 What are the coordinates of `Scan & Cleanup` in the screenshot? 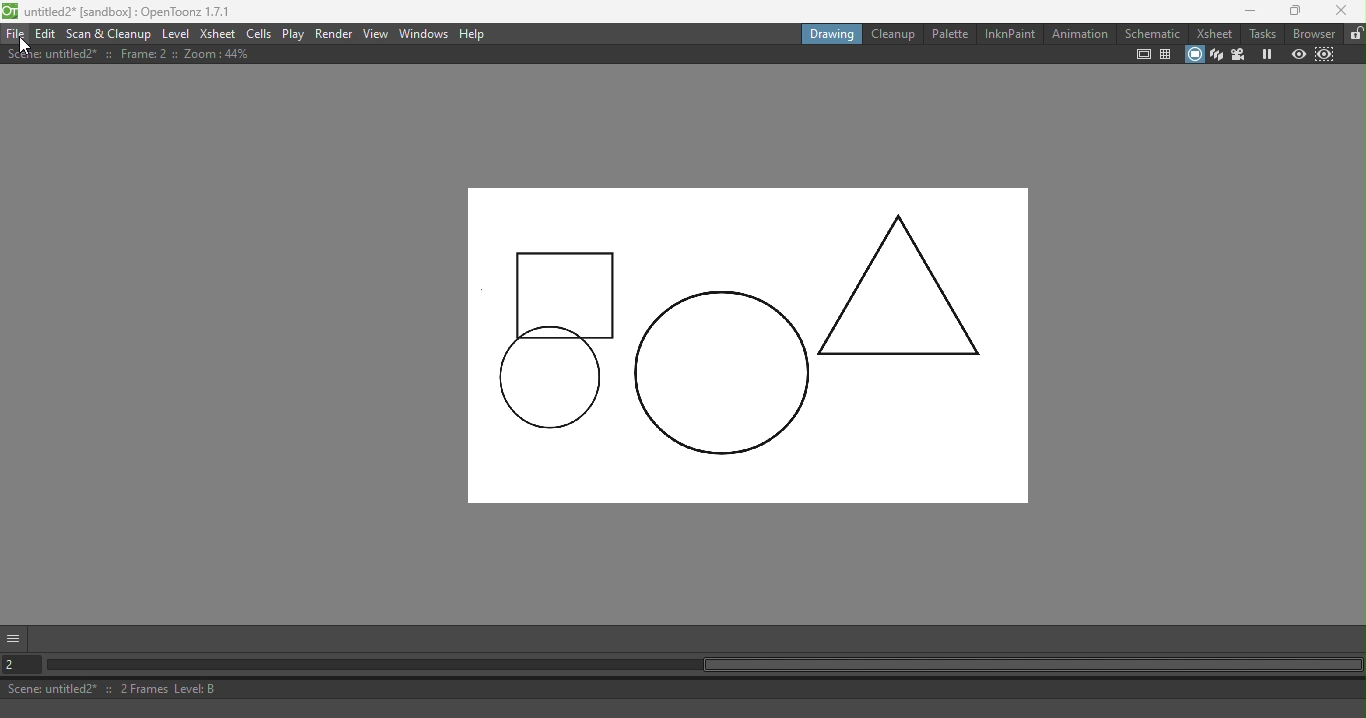 It's located at (110, 34).